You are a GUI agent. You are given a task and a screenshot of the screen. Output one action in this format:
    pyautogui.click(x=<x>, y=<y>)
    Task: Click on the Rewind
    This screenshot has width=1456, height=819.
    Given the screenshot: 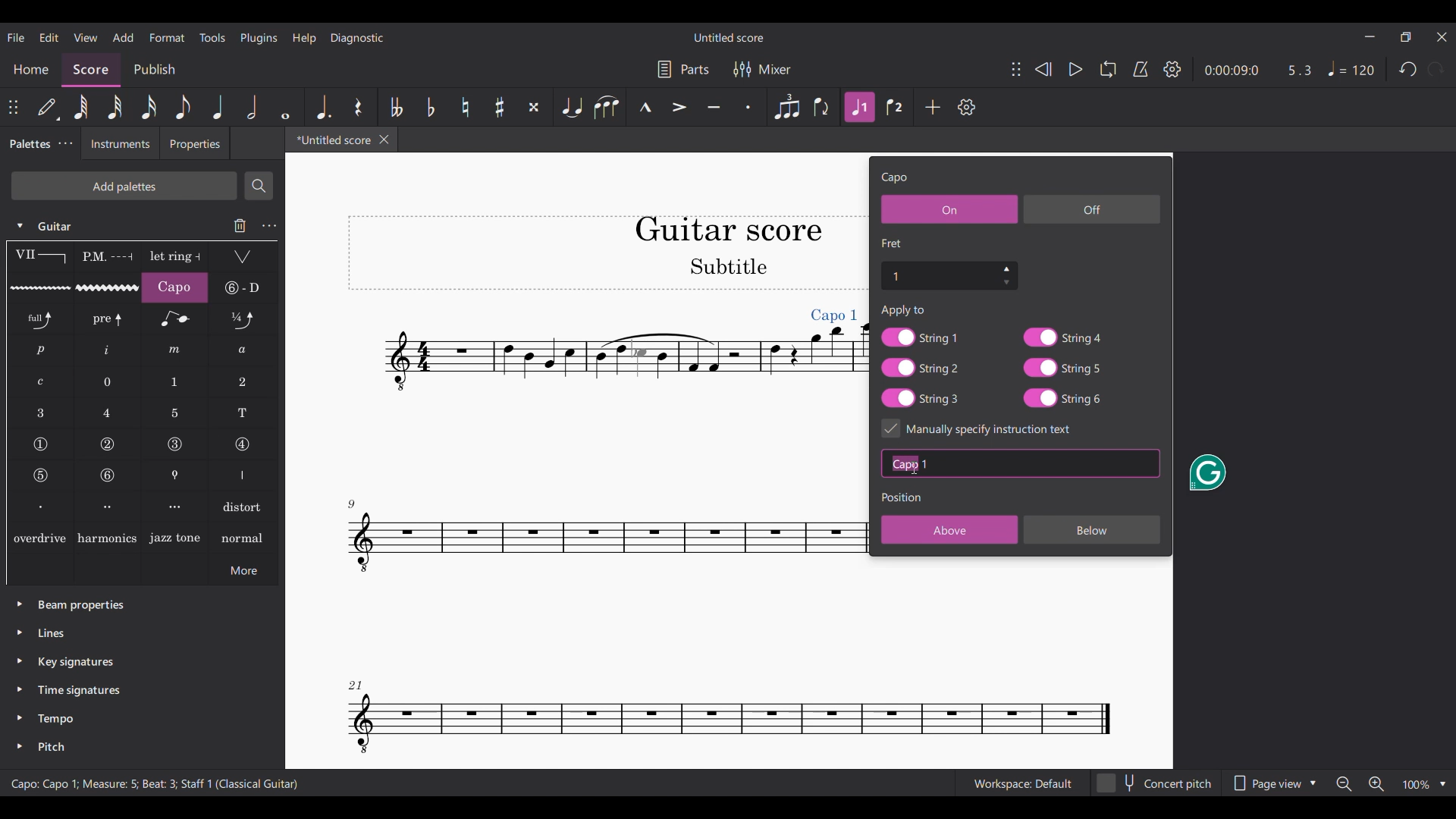 What is the action you would take?
    pyautogui.click(x=1043, y=69)
    